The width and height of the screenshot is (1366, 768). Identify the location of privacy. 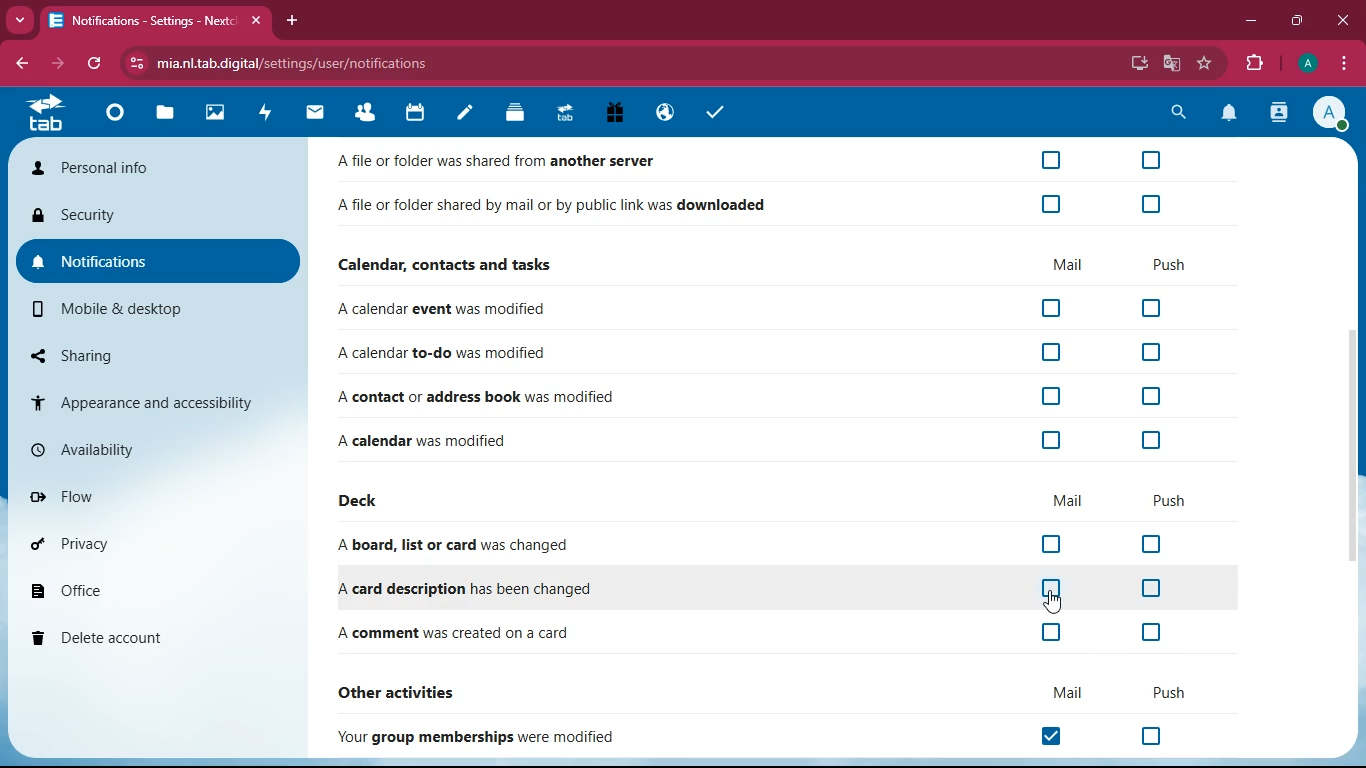
(150, 542).